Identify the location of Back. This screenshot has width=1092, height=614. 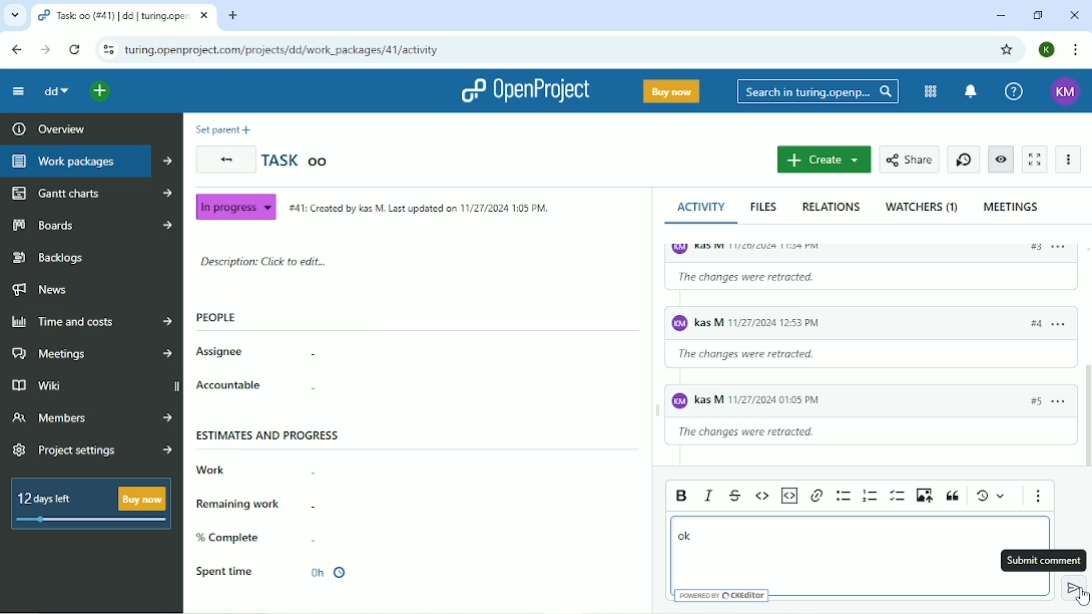
(16, 50).